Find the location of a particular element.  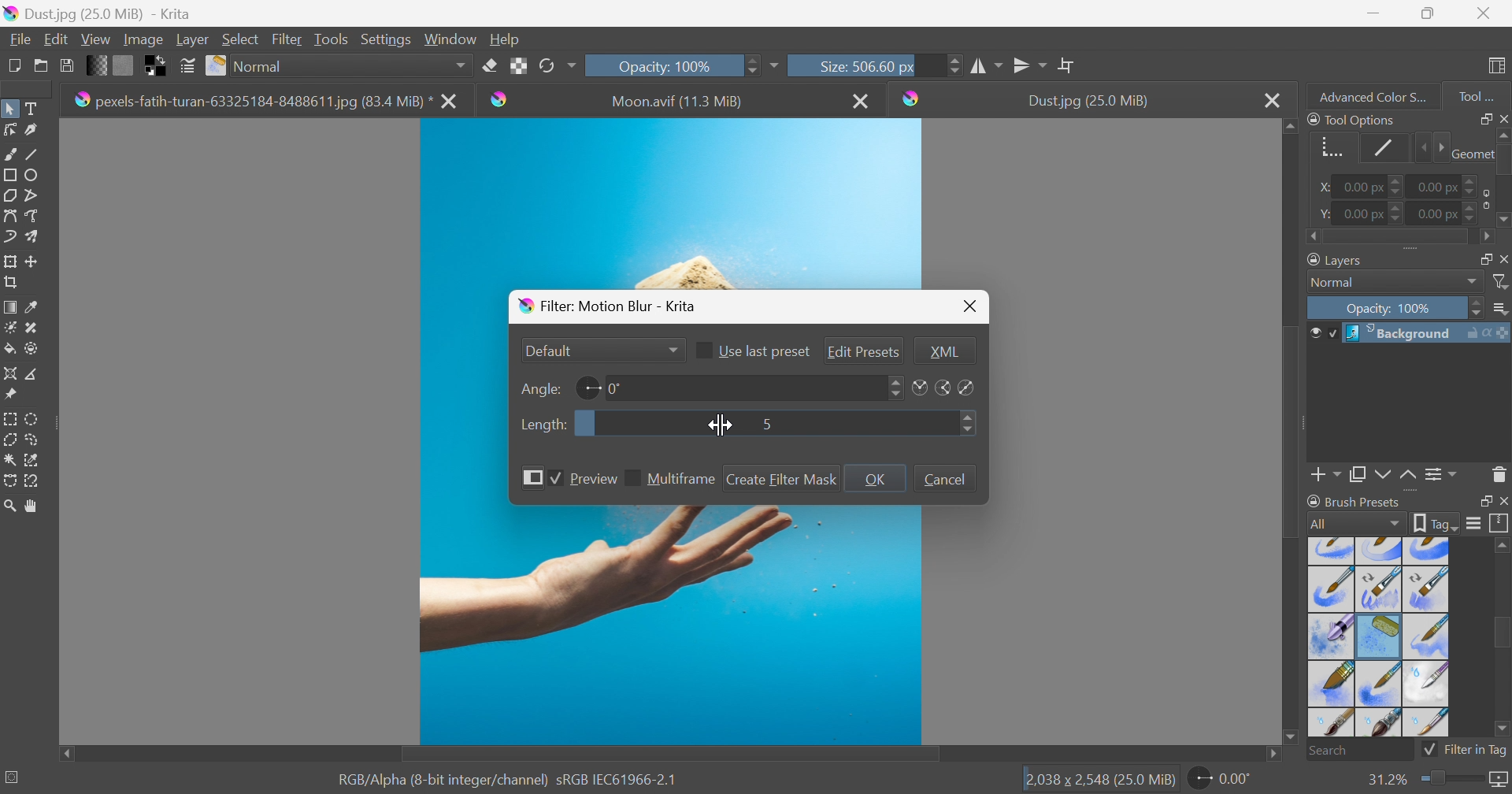

pexels-fatih-turan-6332518 is located at coordinates (252, 102).